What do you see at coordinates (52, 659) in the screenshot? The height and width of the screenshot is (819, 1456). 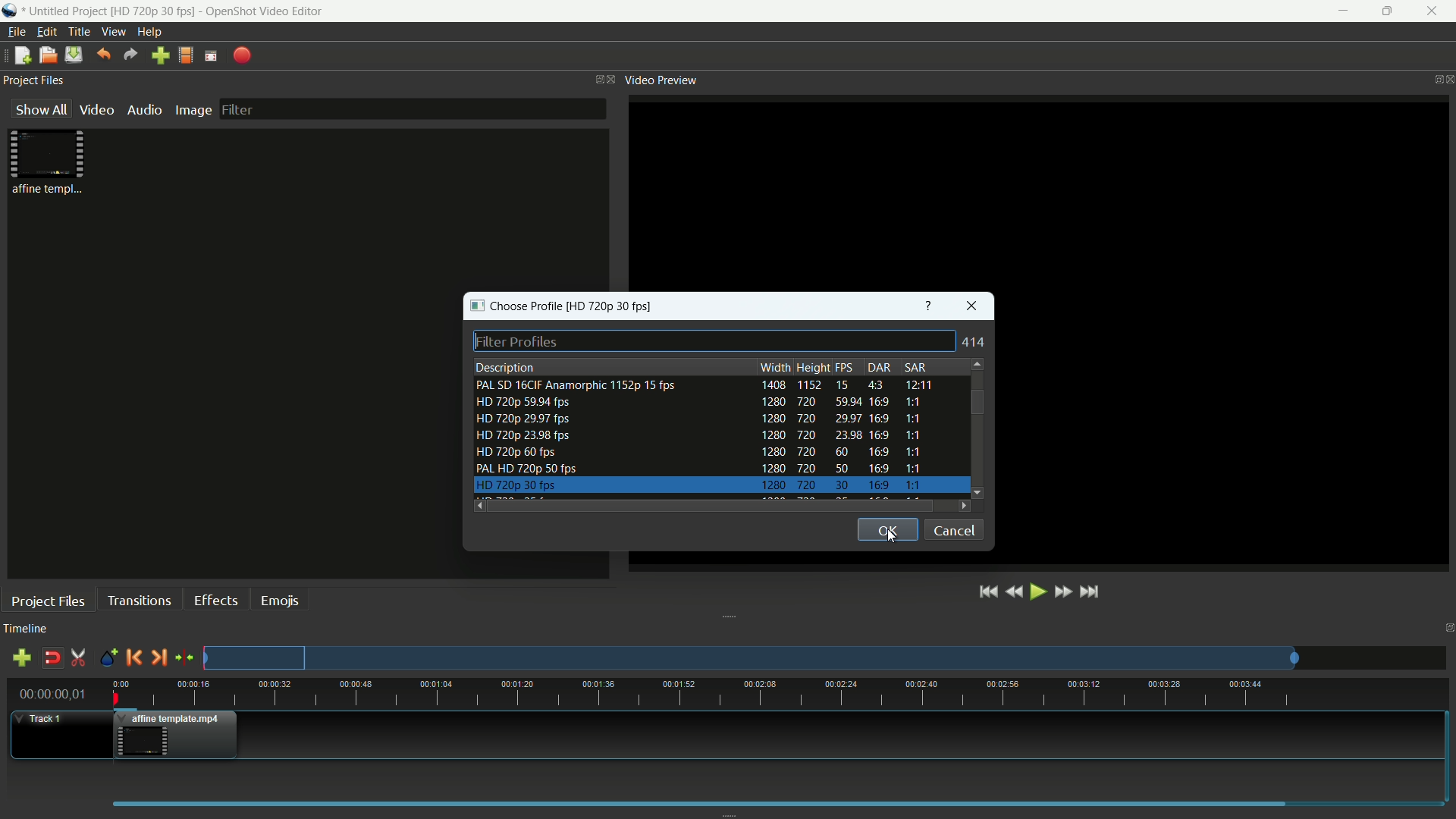 I see `disable snap ` at bounding box center [52, 659].